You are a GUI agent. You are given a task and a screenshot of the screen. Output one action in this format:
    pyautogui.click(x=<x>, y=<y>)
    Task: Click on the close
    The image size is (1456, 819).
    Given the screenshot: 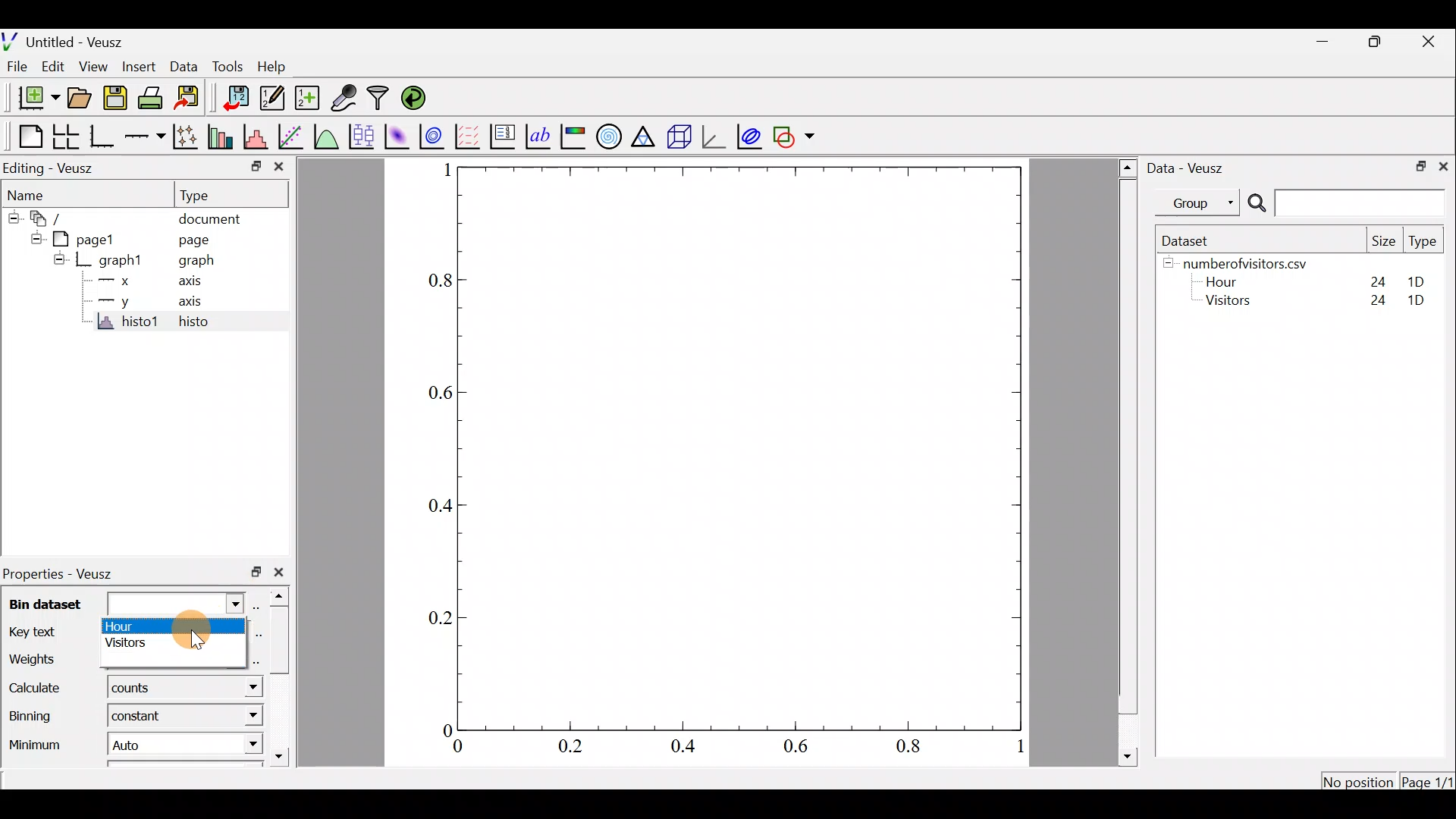 What is the action you would take?
    pyautogui.click(x=1432, y=44)
    